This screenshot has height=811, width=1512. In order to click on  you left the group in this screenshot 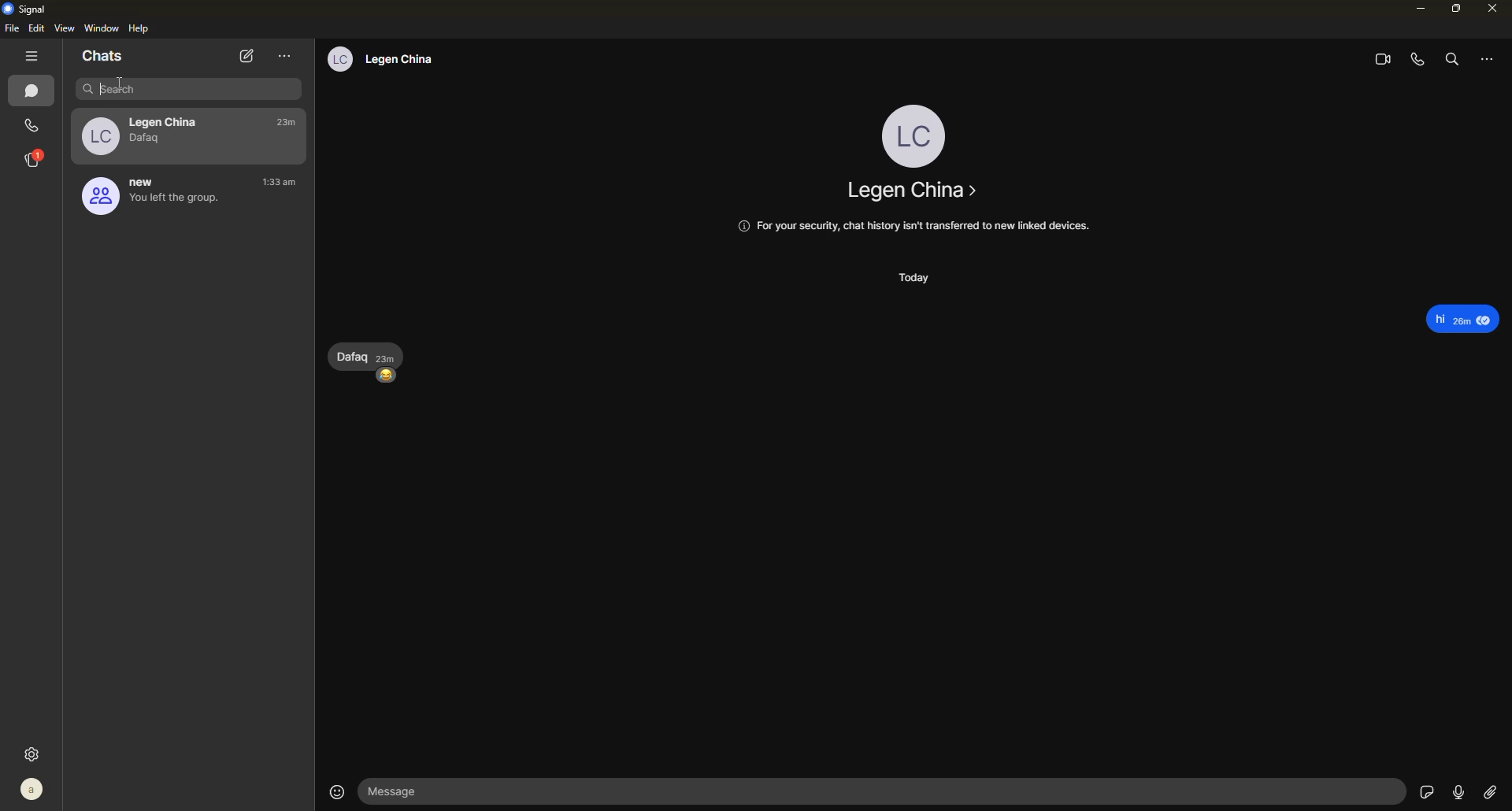, I will do `click(181, 202)`.